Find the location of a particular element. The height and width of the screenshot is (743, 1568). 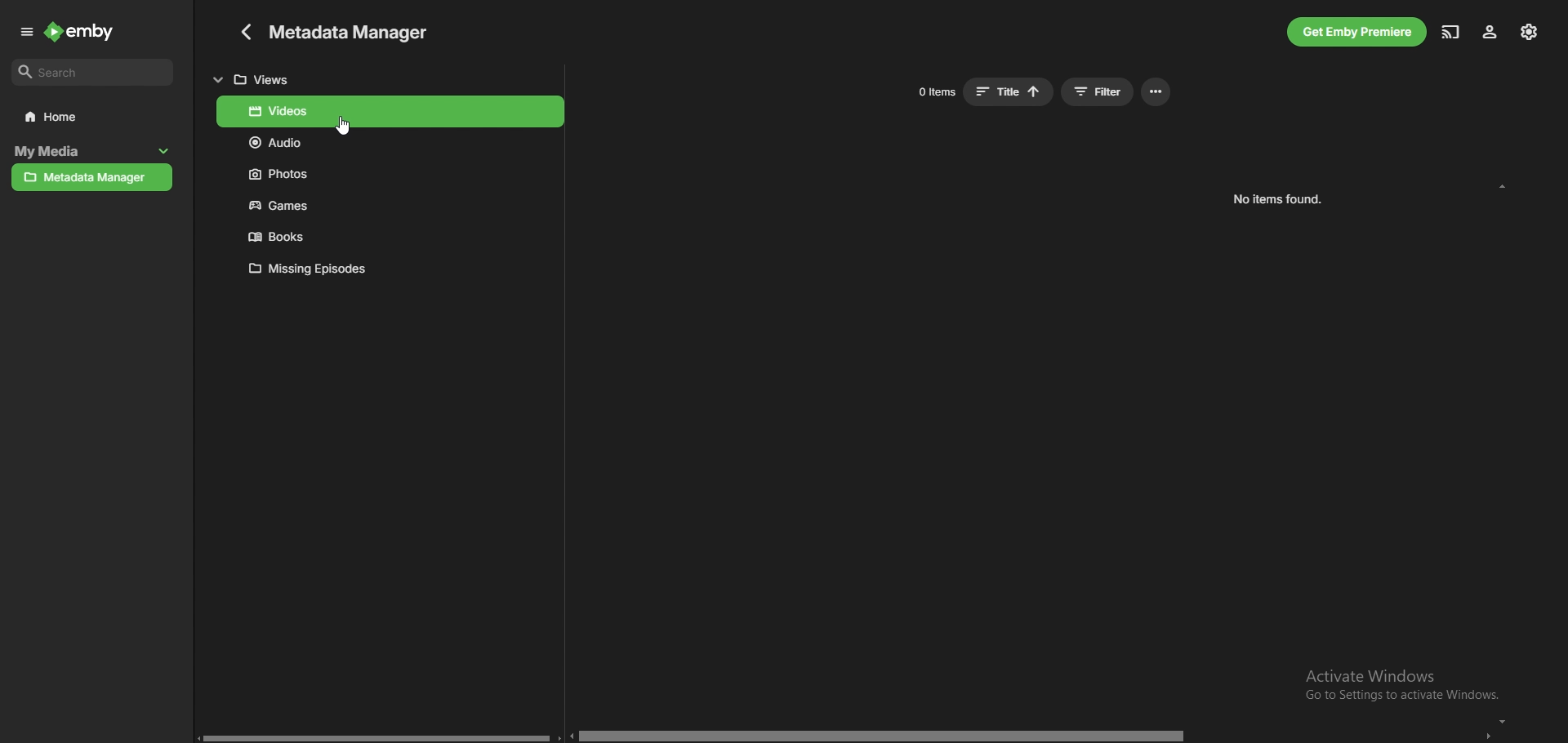

scroll up is located at coordinates (1501, 187).